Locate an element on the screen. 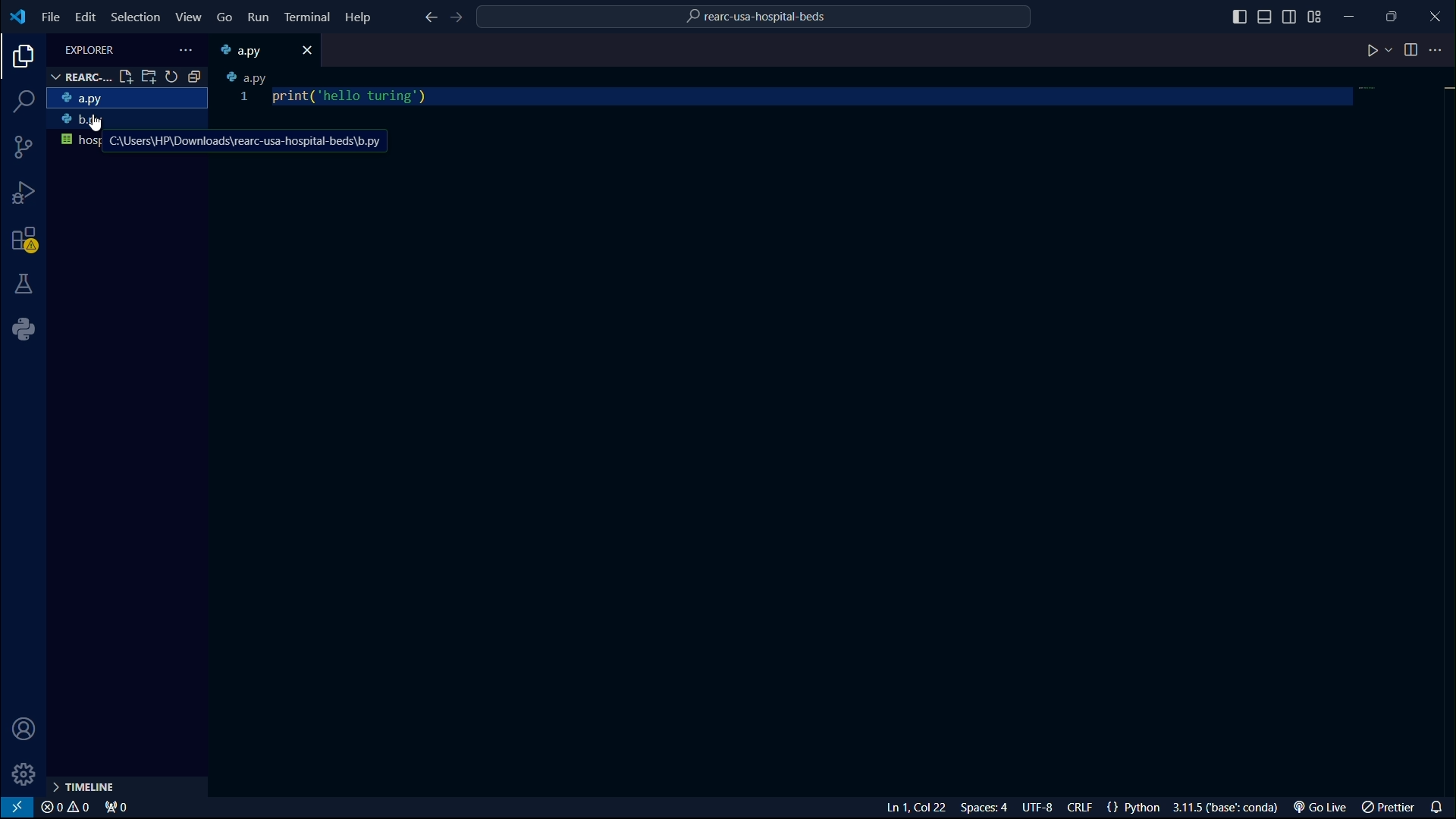 The width and height of the screenshot is (1456, 819). extensions is located at coordinates (24, 240).